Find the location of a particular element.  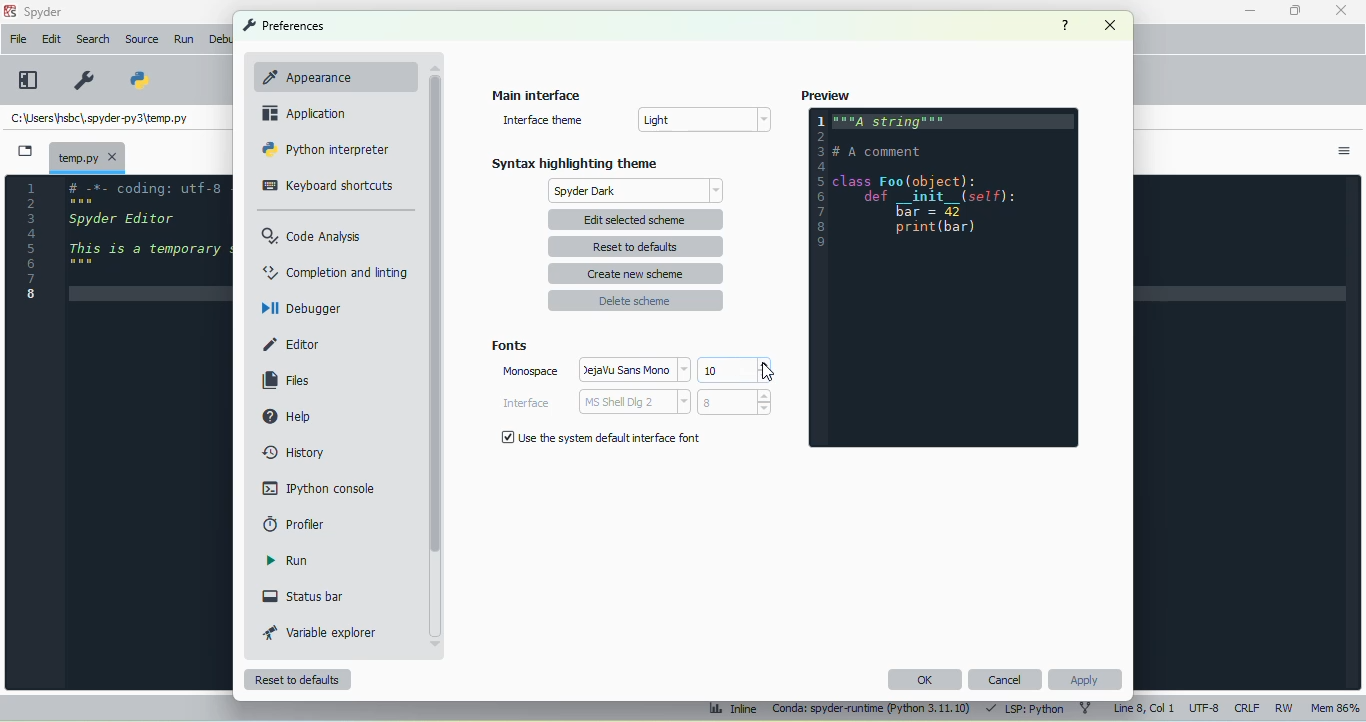

preferences is located at coordinates (86, 80).